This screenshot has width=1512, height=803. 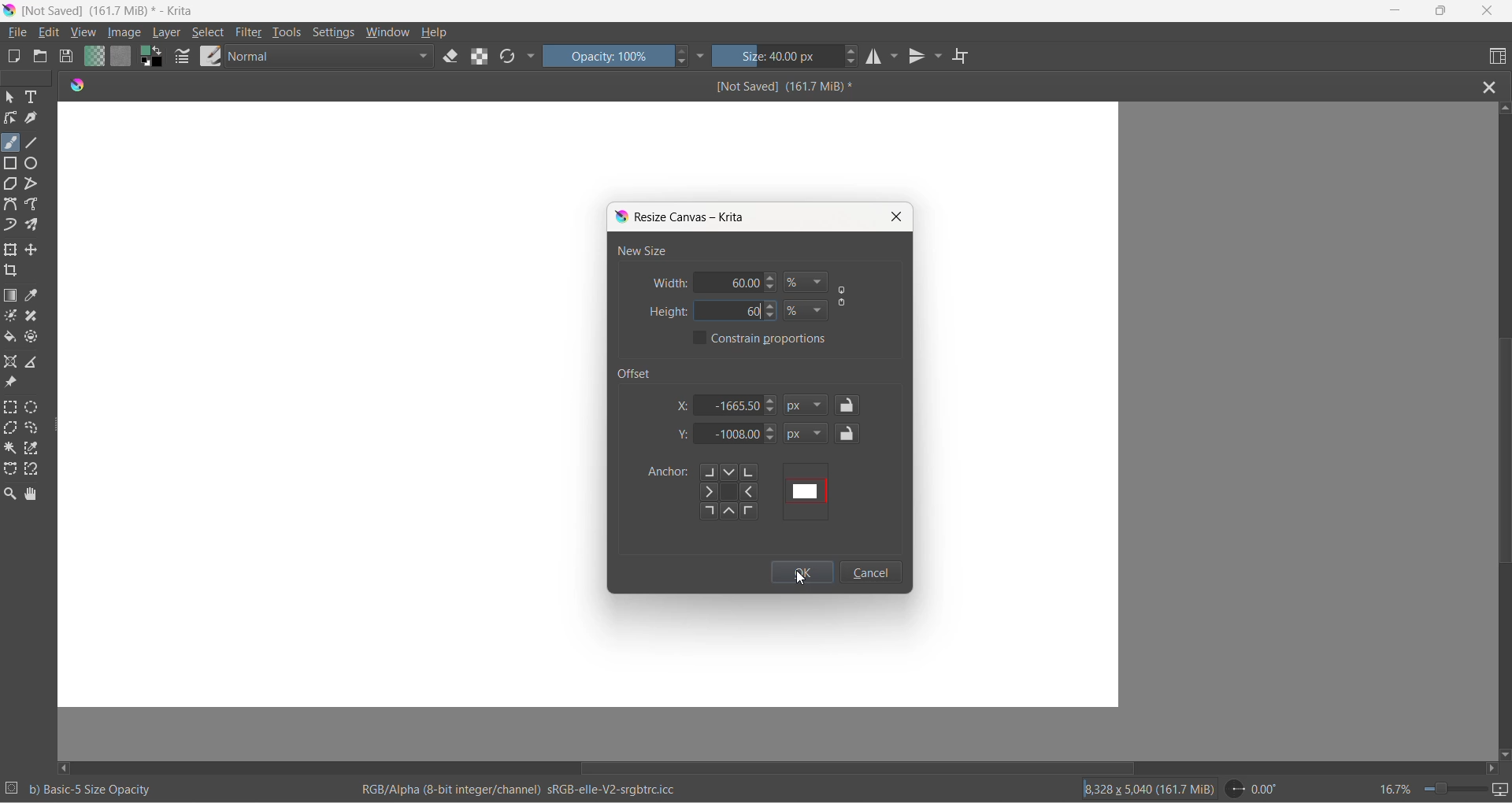 What do you see at coordinates (337, 34) in the screenshot?
I see `settings` at bounding box center [337, 34].